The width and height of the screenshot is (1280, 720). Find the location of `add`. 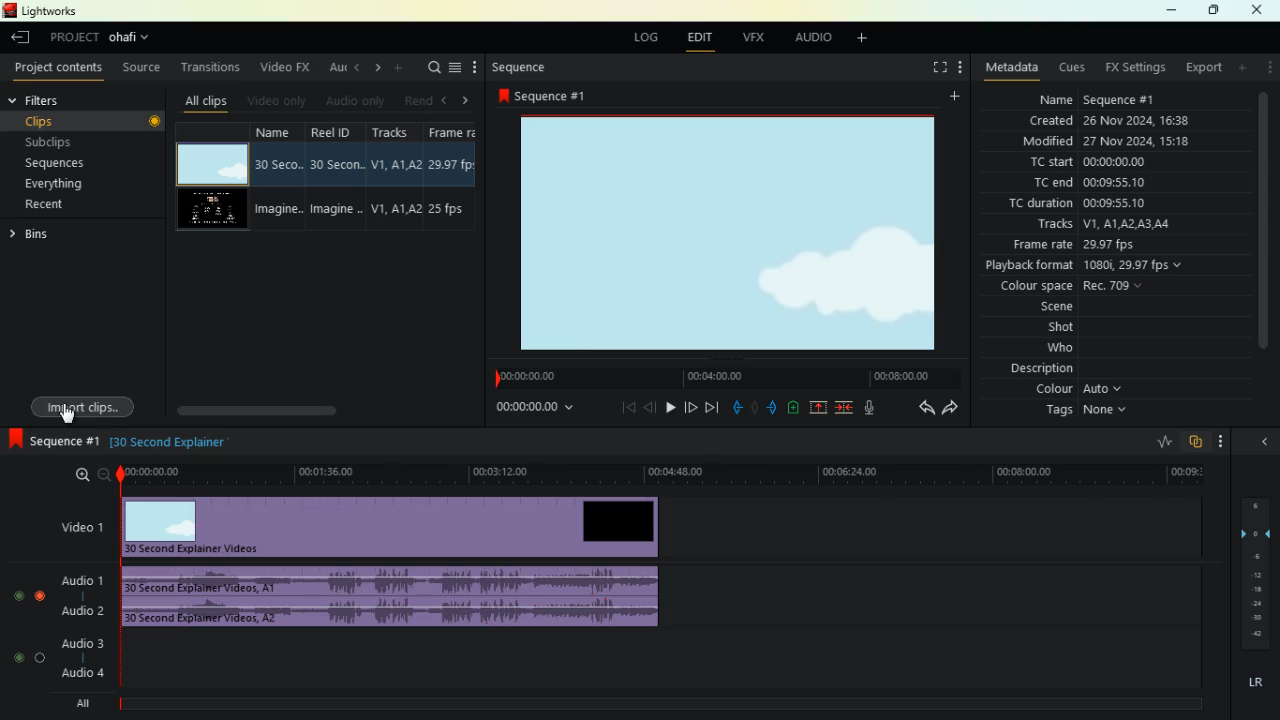

add is located at coordinates (1244, 67).